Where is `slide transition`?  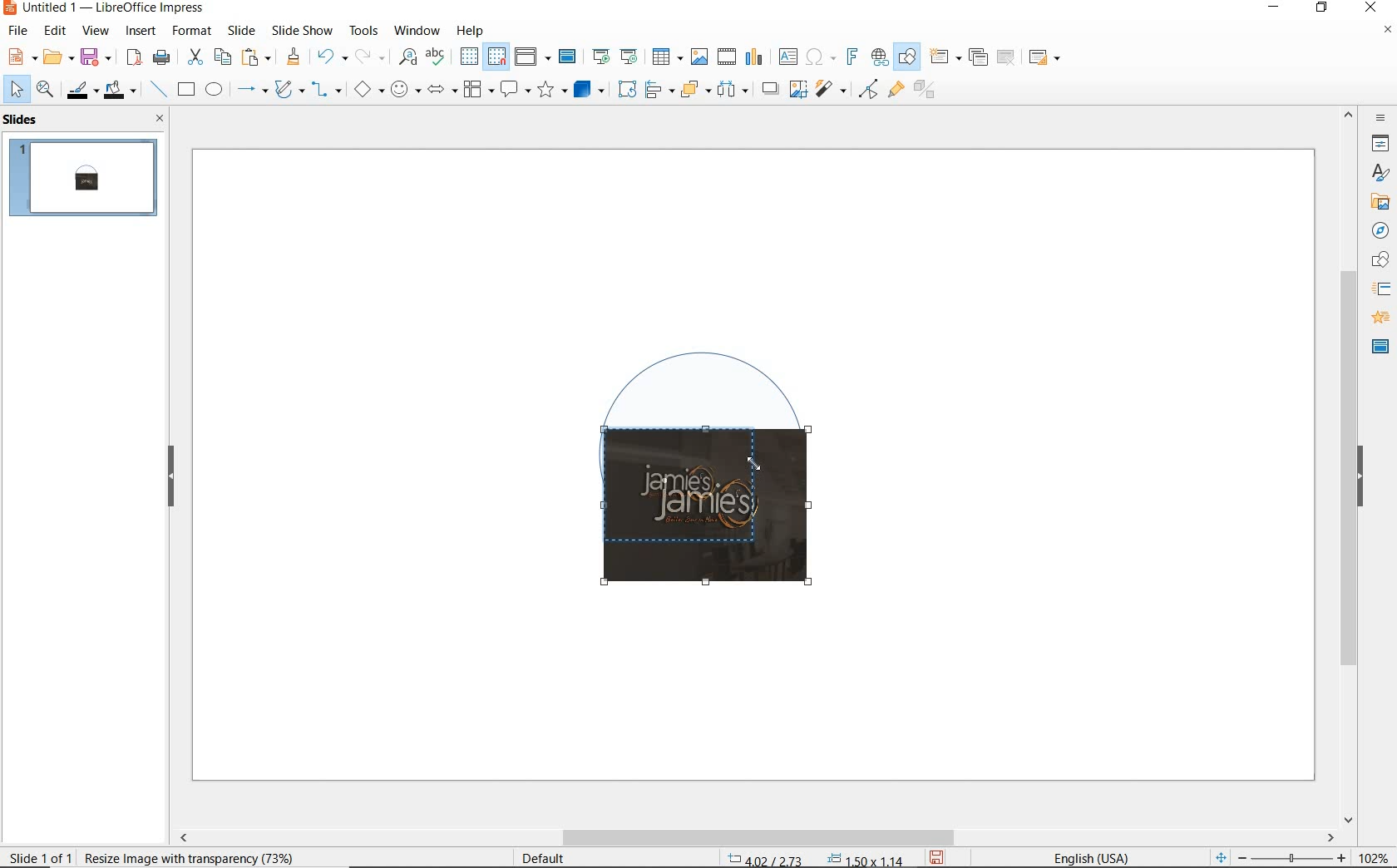
slide transition is located at coordinates (1380, 289).